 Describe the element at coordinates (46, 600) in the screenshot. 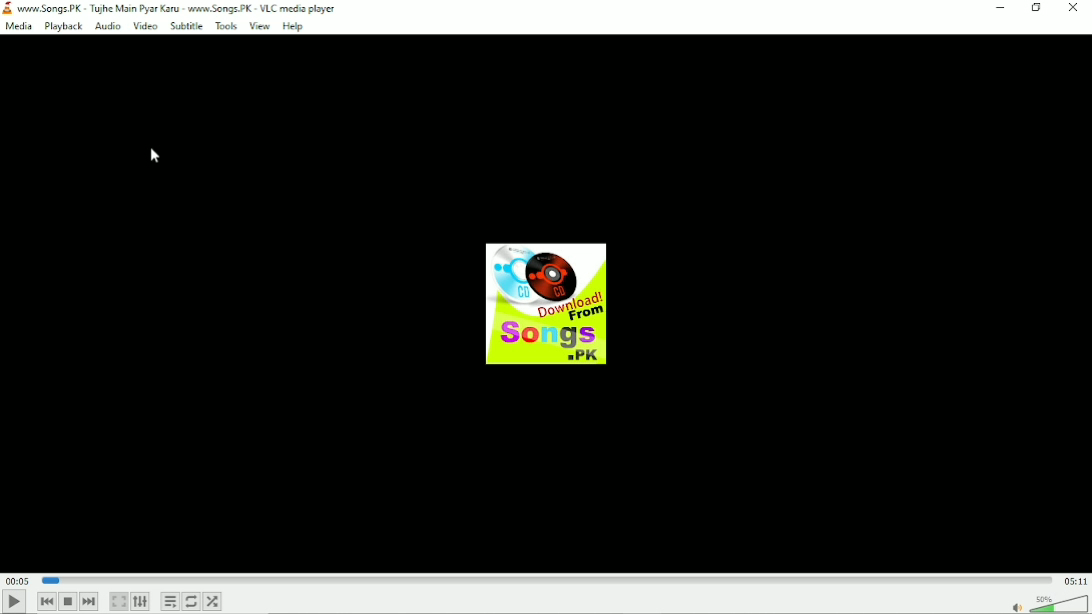

I see `Previous` at that location.